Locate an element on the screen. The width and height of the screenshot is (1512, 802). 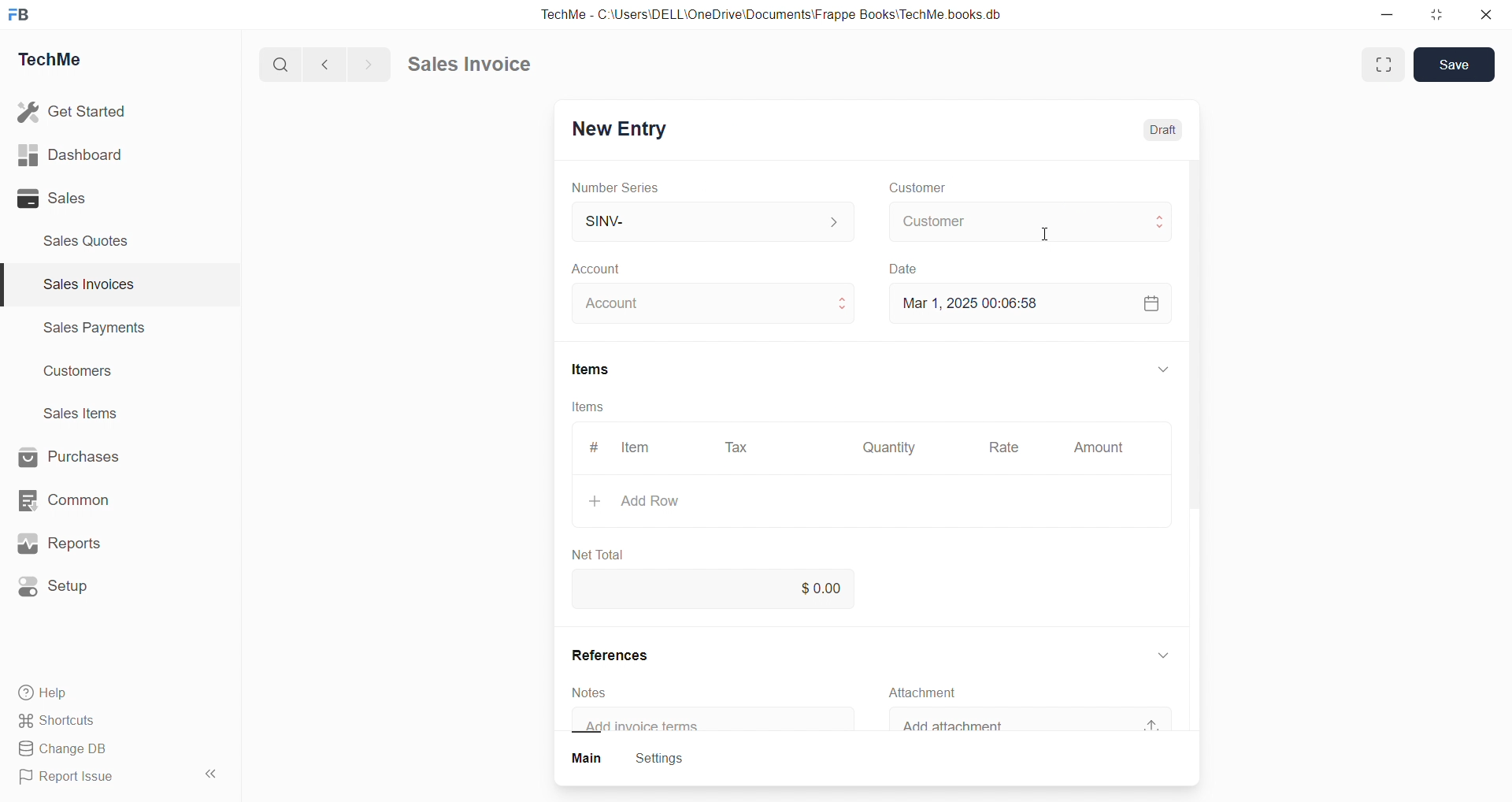
Add attachment is located at coordinates (976, 726).